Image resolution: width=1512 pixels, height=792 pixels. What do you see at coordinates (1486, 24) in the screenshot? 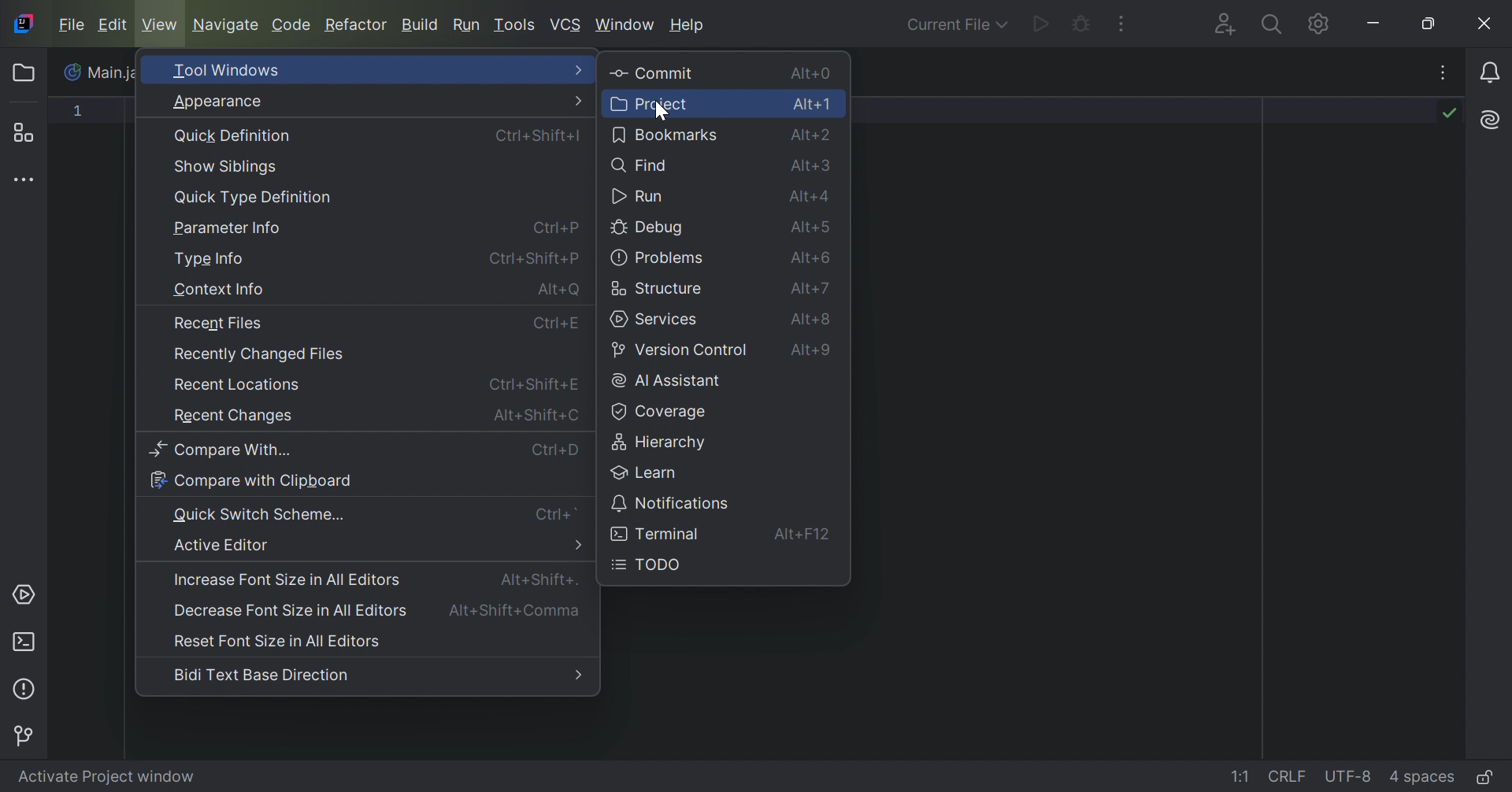
I see `Close` at bounding box center [1486, 24].